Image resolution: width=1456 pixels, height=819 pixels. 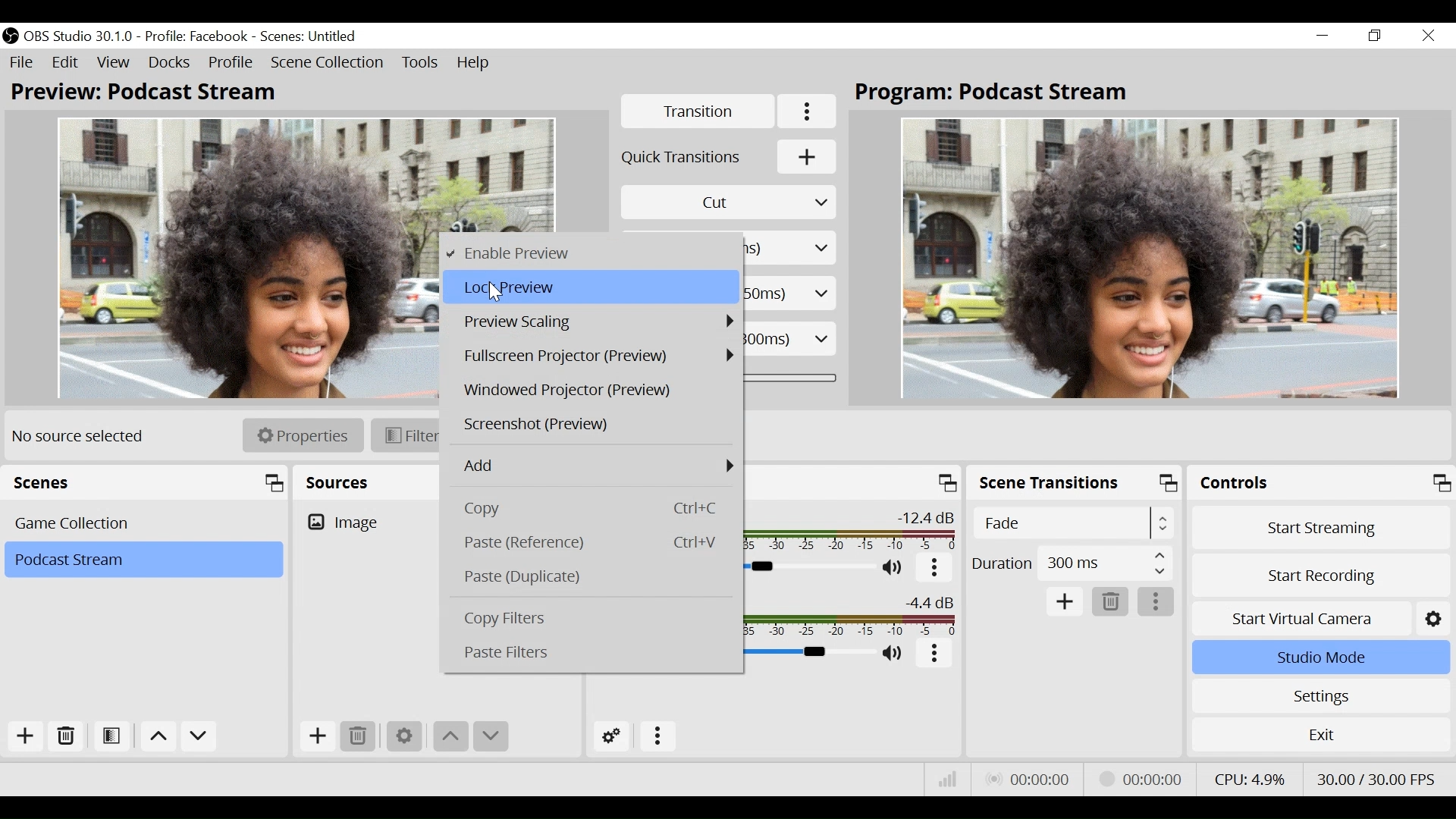 I want to click on Help, so click(x=475, y=64).